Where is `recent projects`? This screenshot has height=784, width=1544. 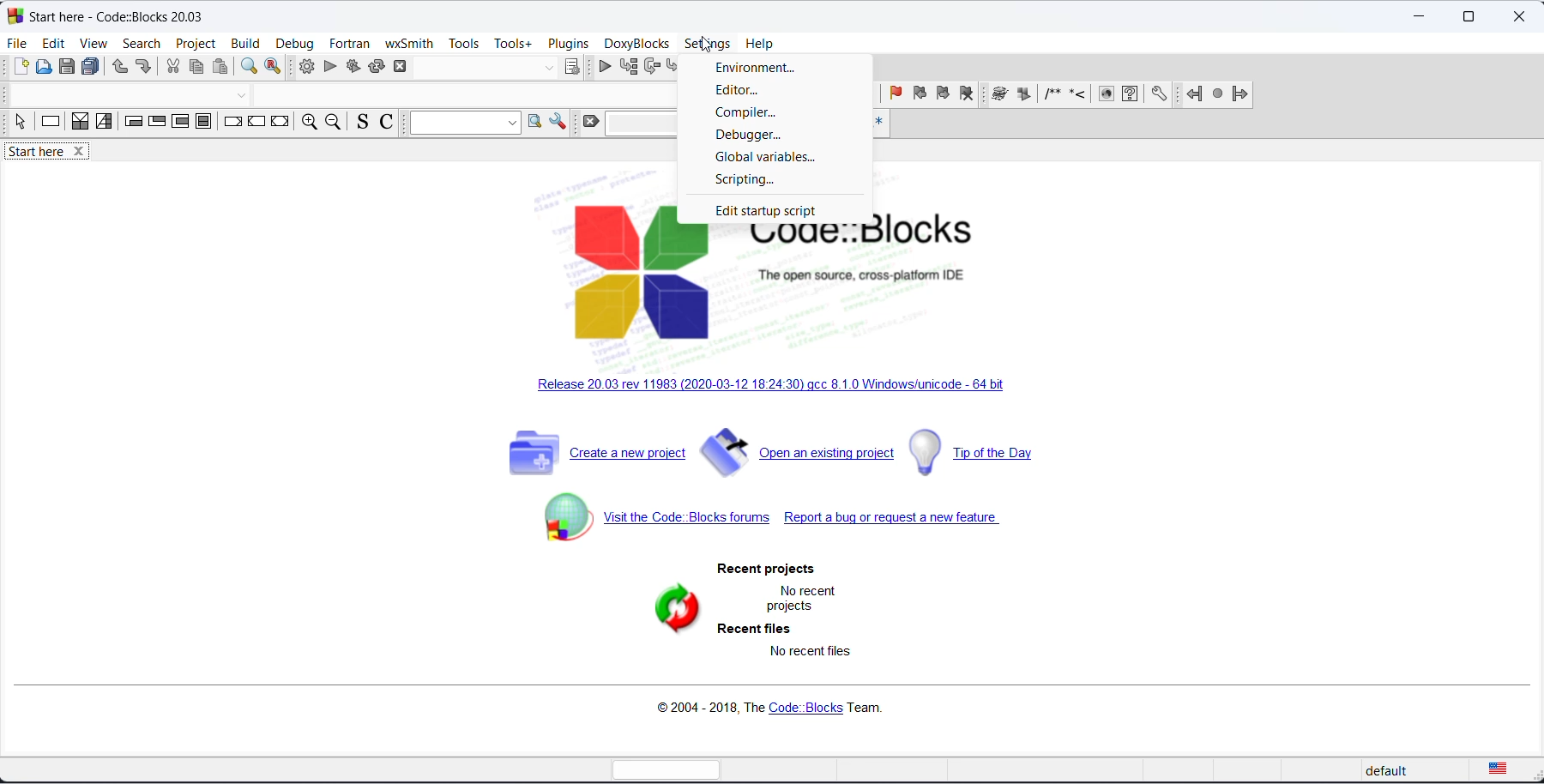 recent projects is located at coordinates (767, 569).